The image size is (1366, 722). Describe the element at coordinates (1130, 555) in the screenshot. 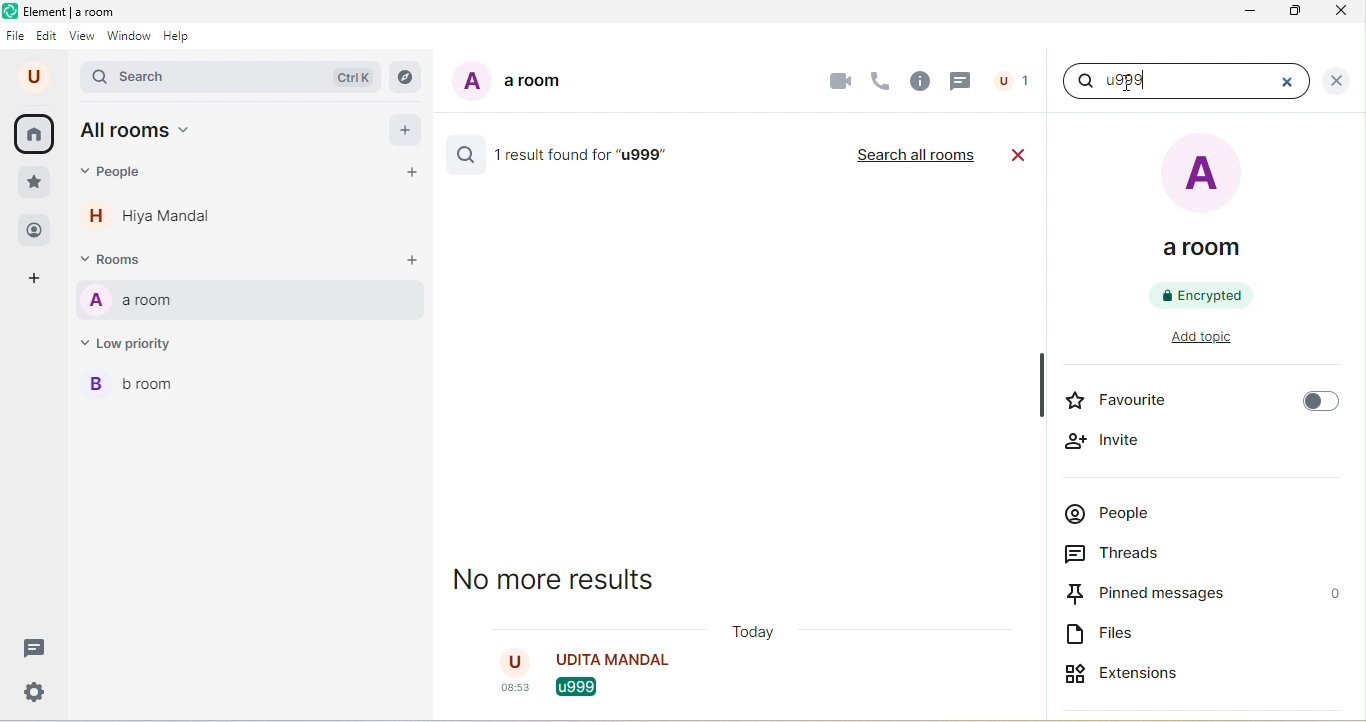

I see `threads` at that location.